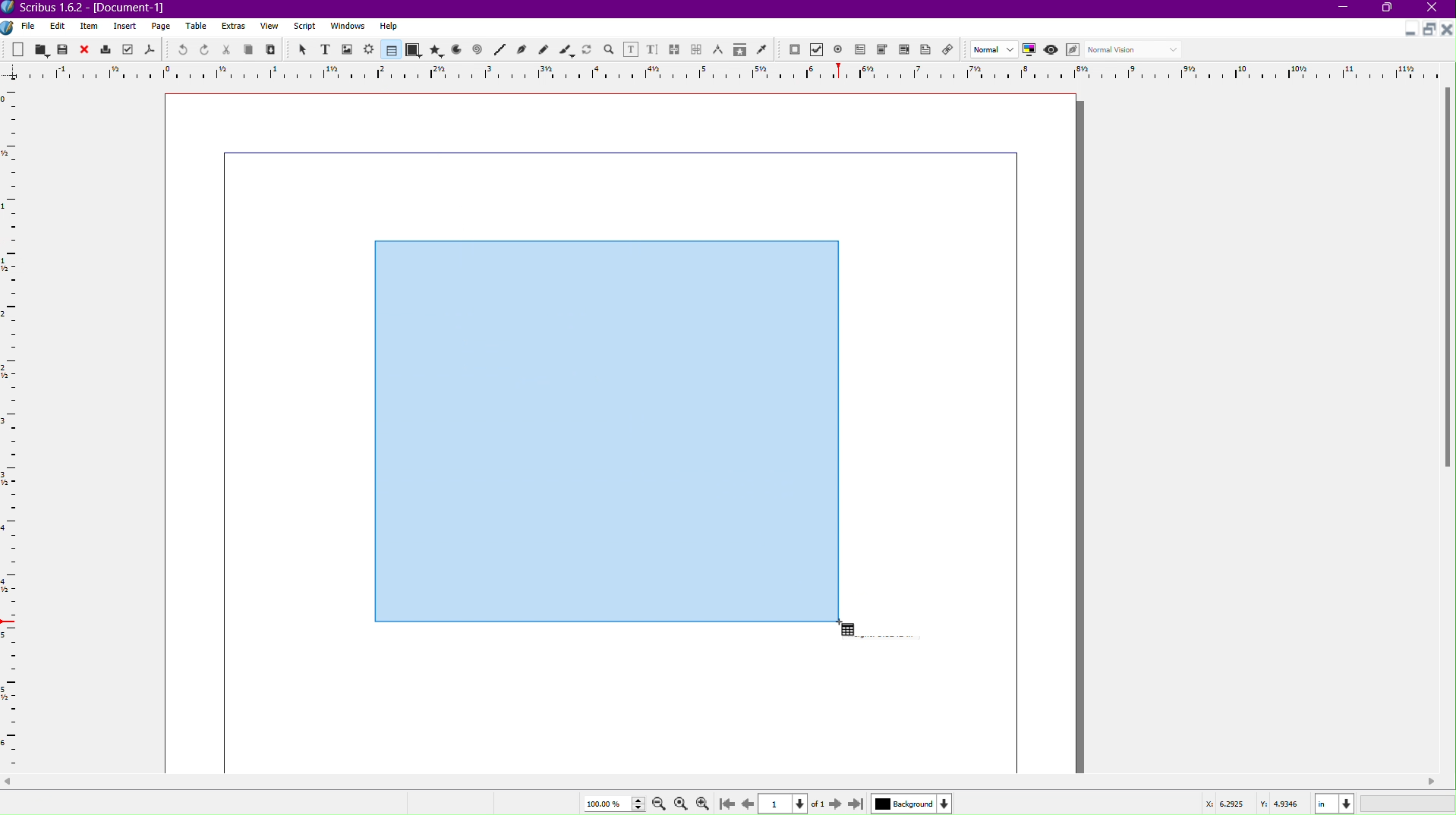 The width and height of the screenshot is (1456, 815). I want to click on Calligraphic Line, so click(566, 49).